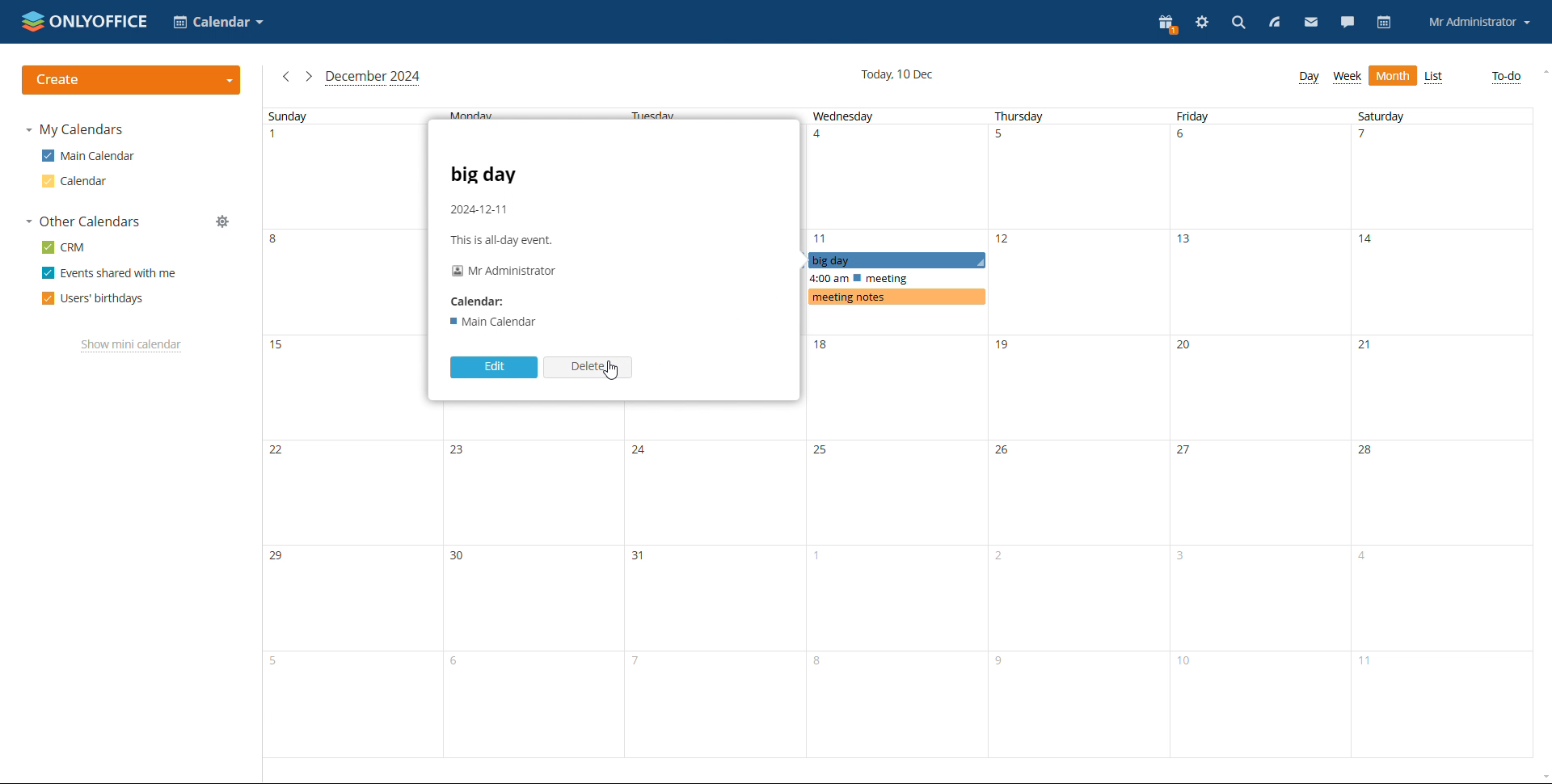 Image resolution: width=1552 pixels, height=784 pixels. Describe the element at coordinates (1311, 23) in the screenshot. I see `mail` at that location.